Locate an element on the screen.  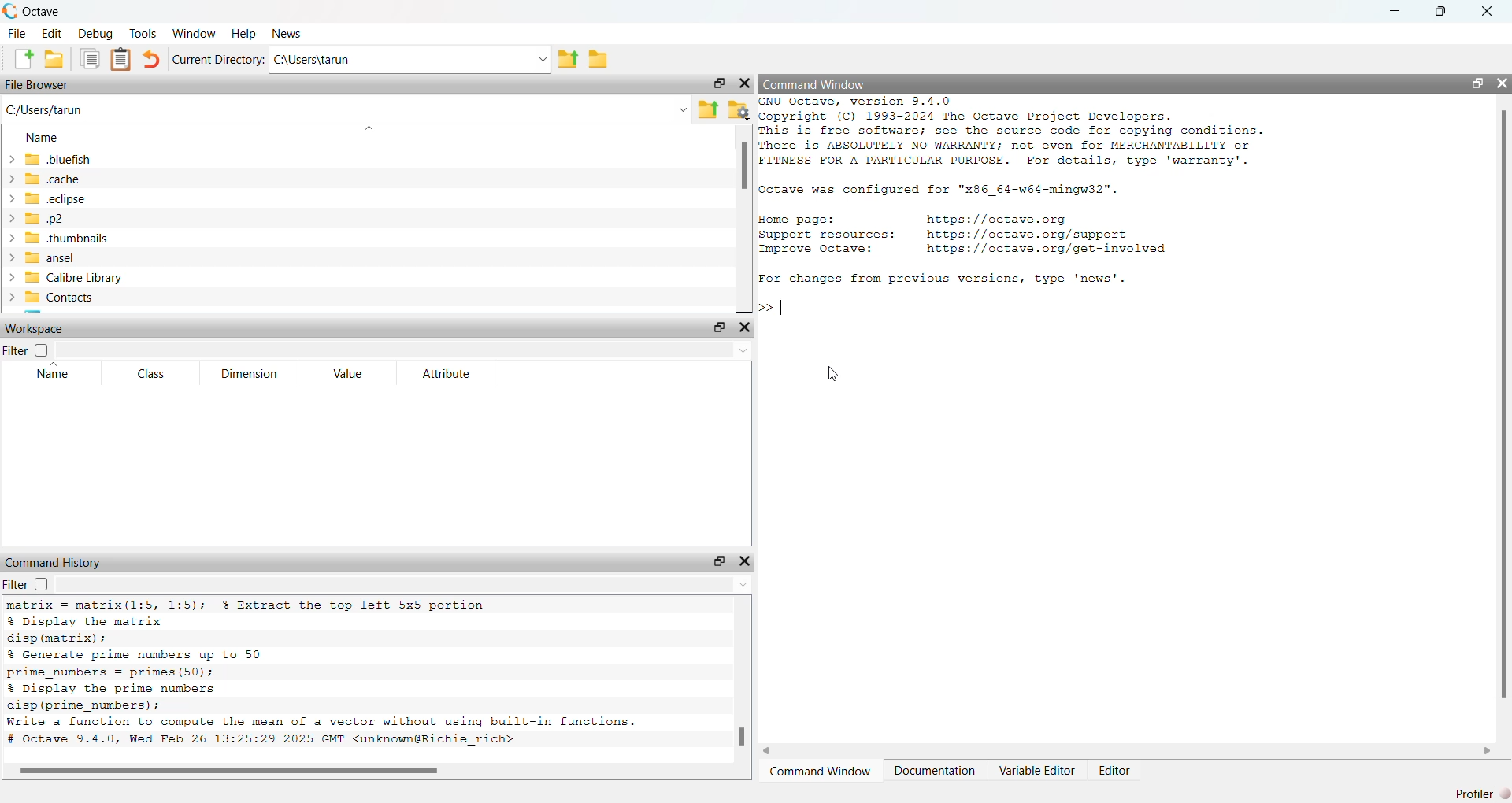
name is located at coordinates (55, 371).